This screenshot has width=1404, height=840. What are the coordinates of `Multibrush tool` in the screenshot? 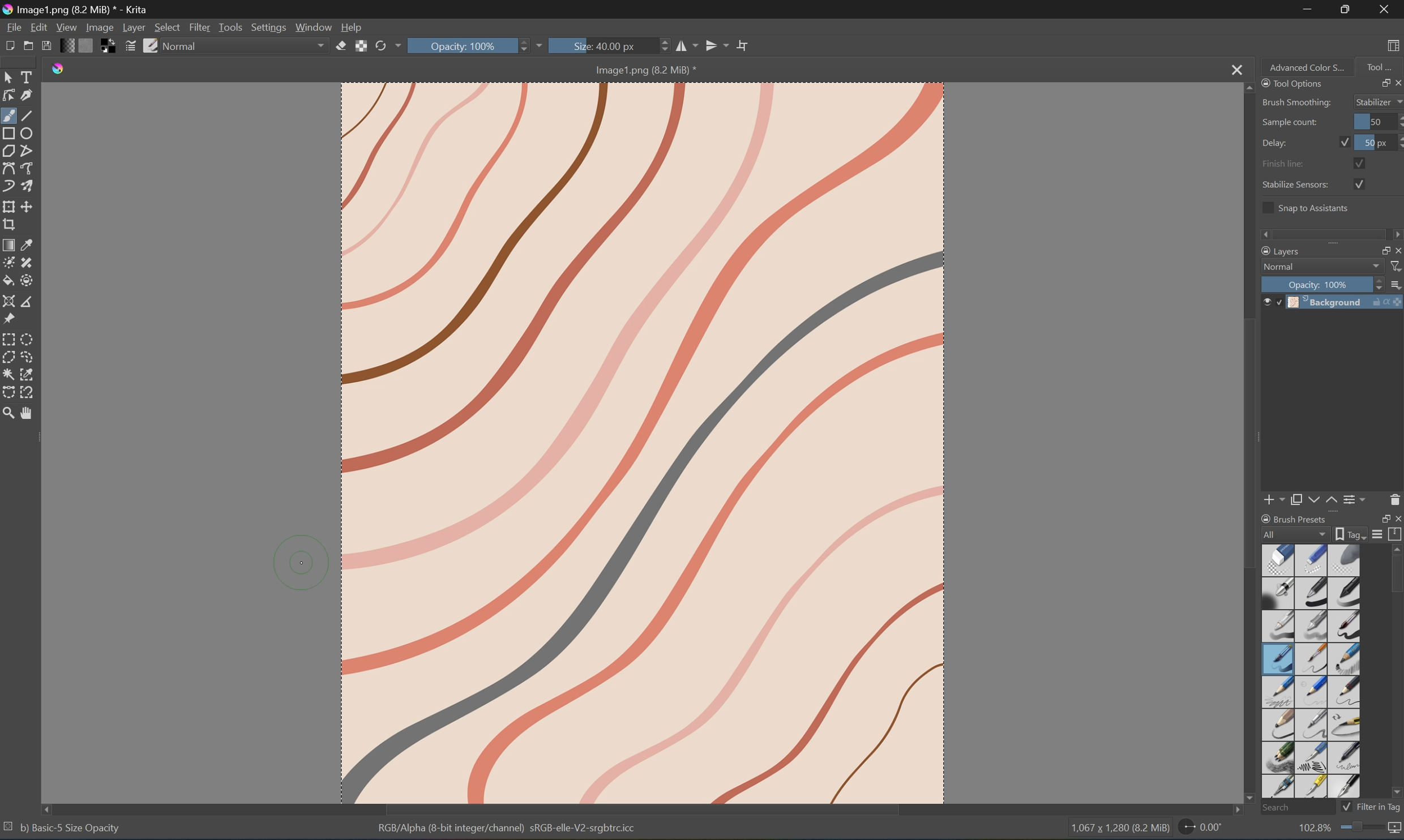 It's located at (29, 185).